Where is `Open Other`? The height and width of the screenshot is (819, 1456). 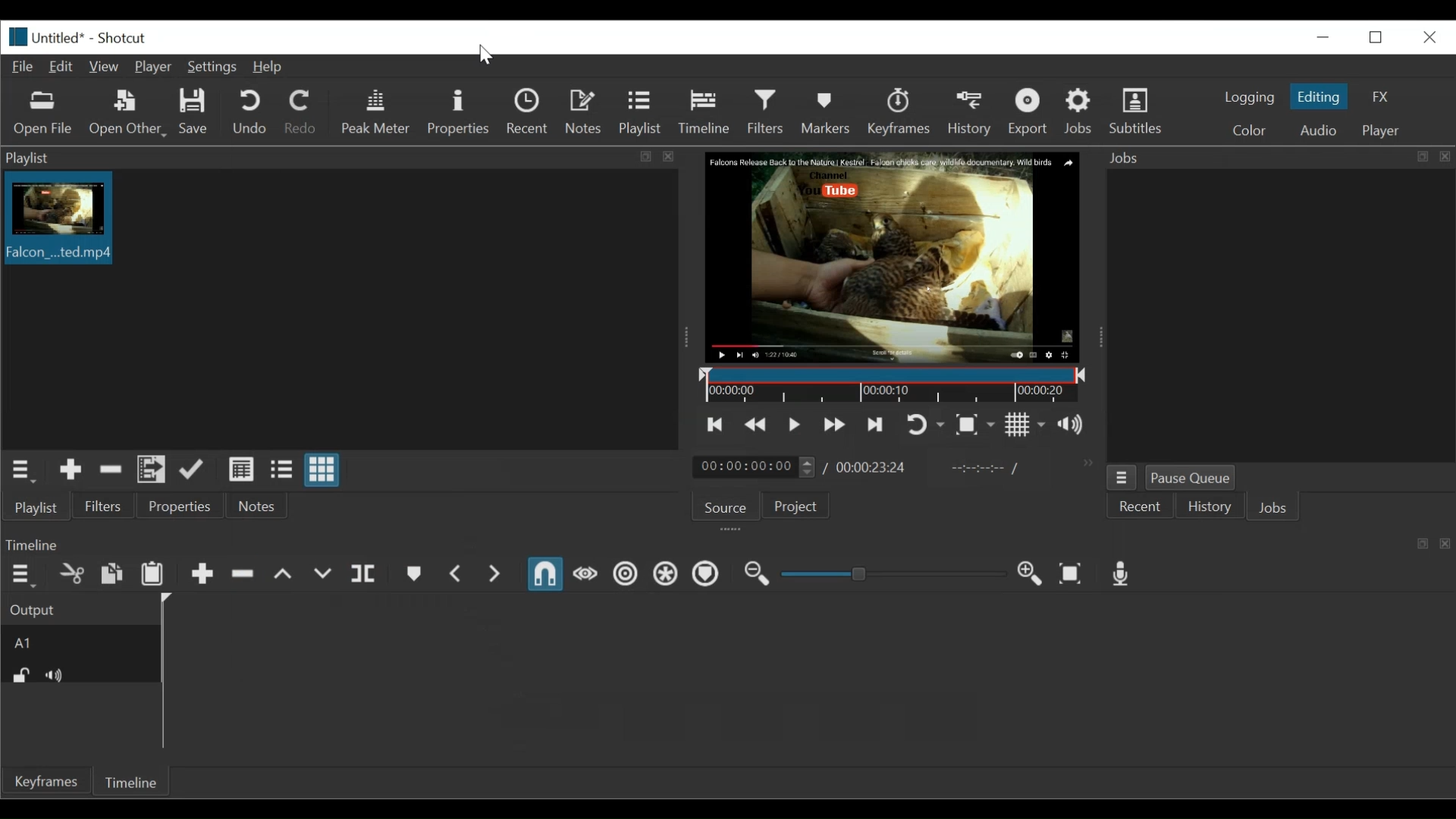 Open Other is located at coordinates (128, 112).